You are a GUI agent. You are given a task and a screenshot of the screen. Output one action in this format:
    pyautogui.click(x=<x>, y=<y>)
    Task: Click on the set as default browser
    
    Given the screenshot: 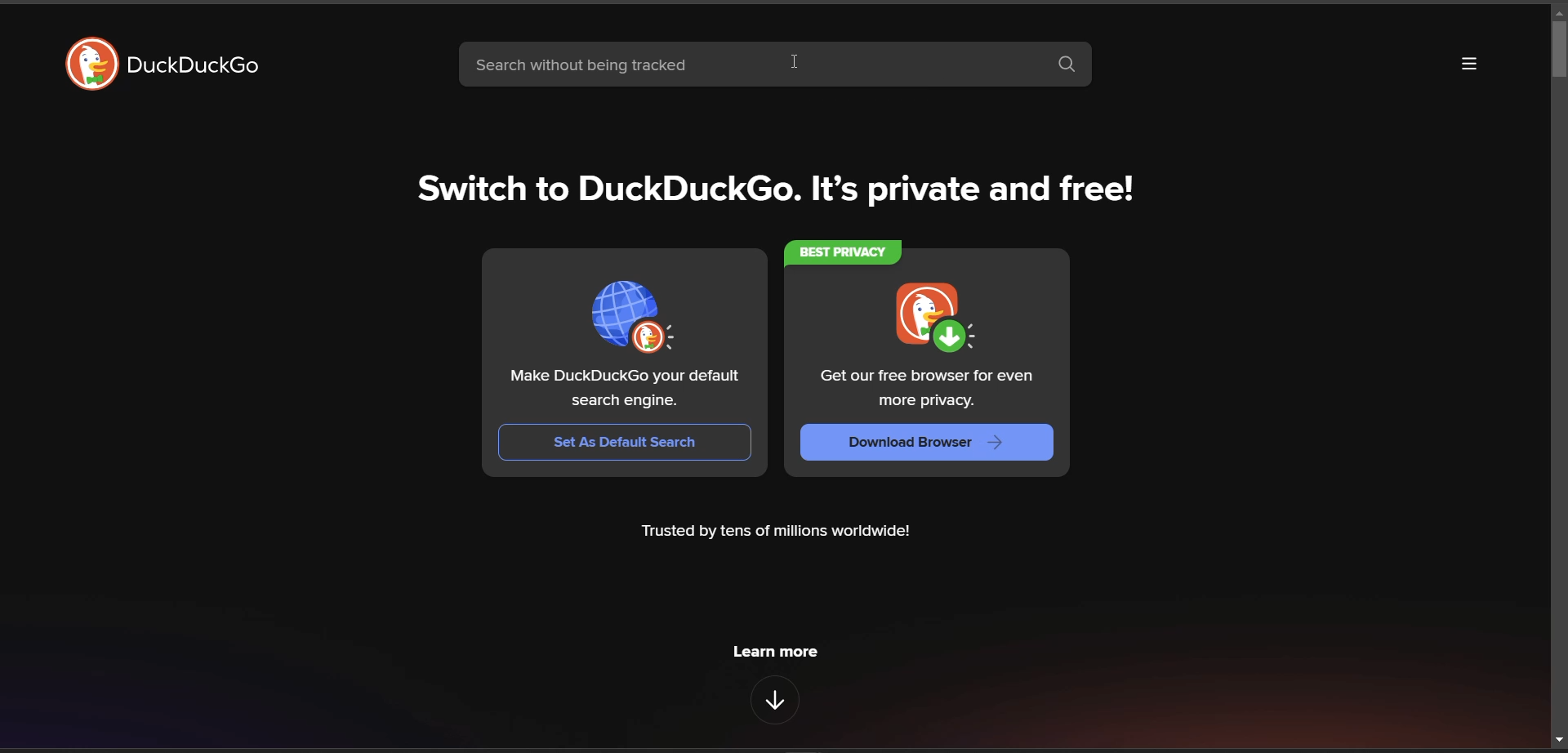 What is the action you would take?
    pyautogui.click(x=626, y=443)
    